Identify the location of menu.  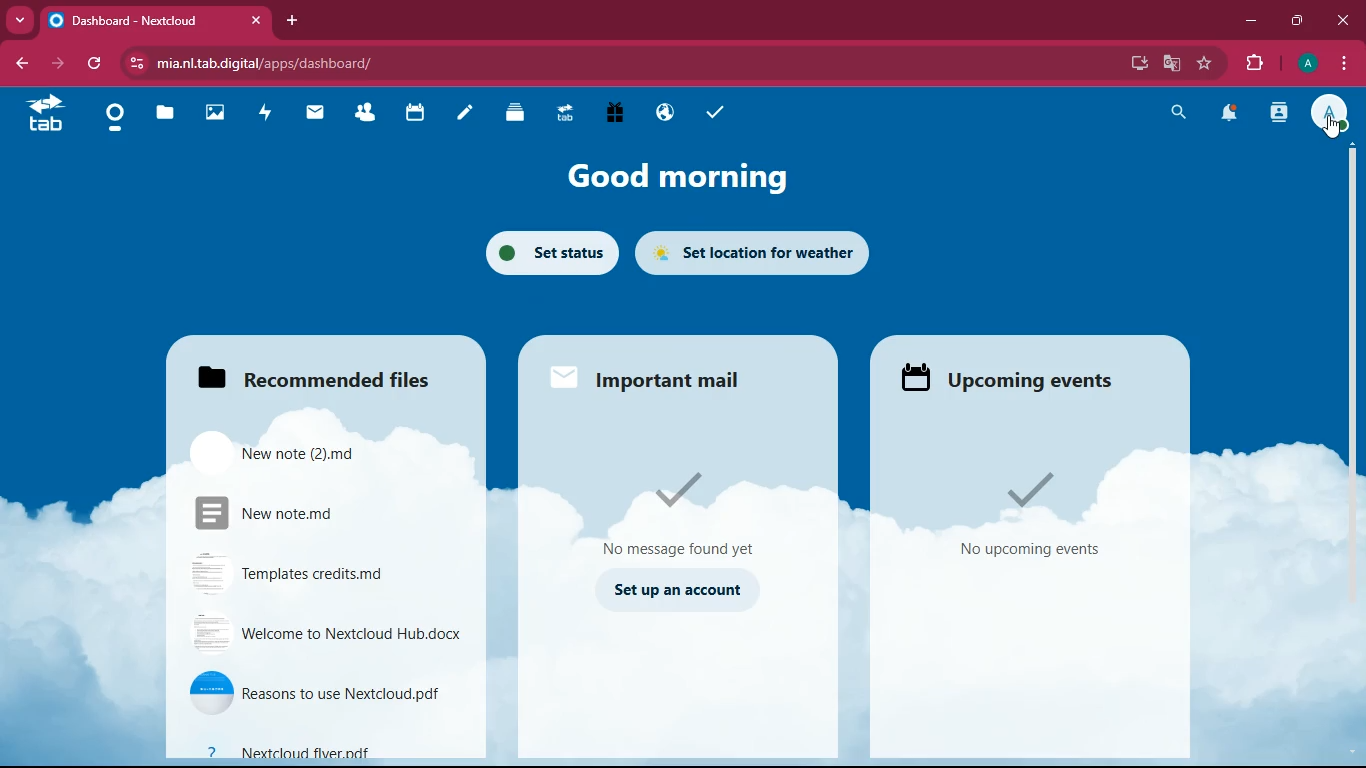
(1344, 61).